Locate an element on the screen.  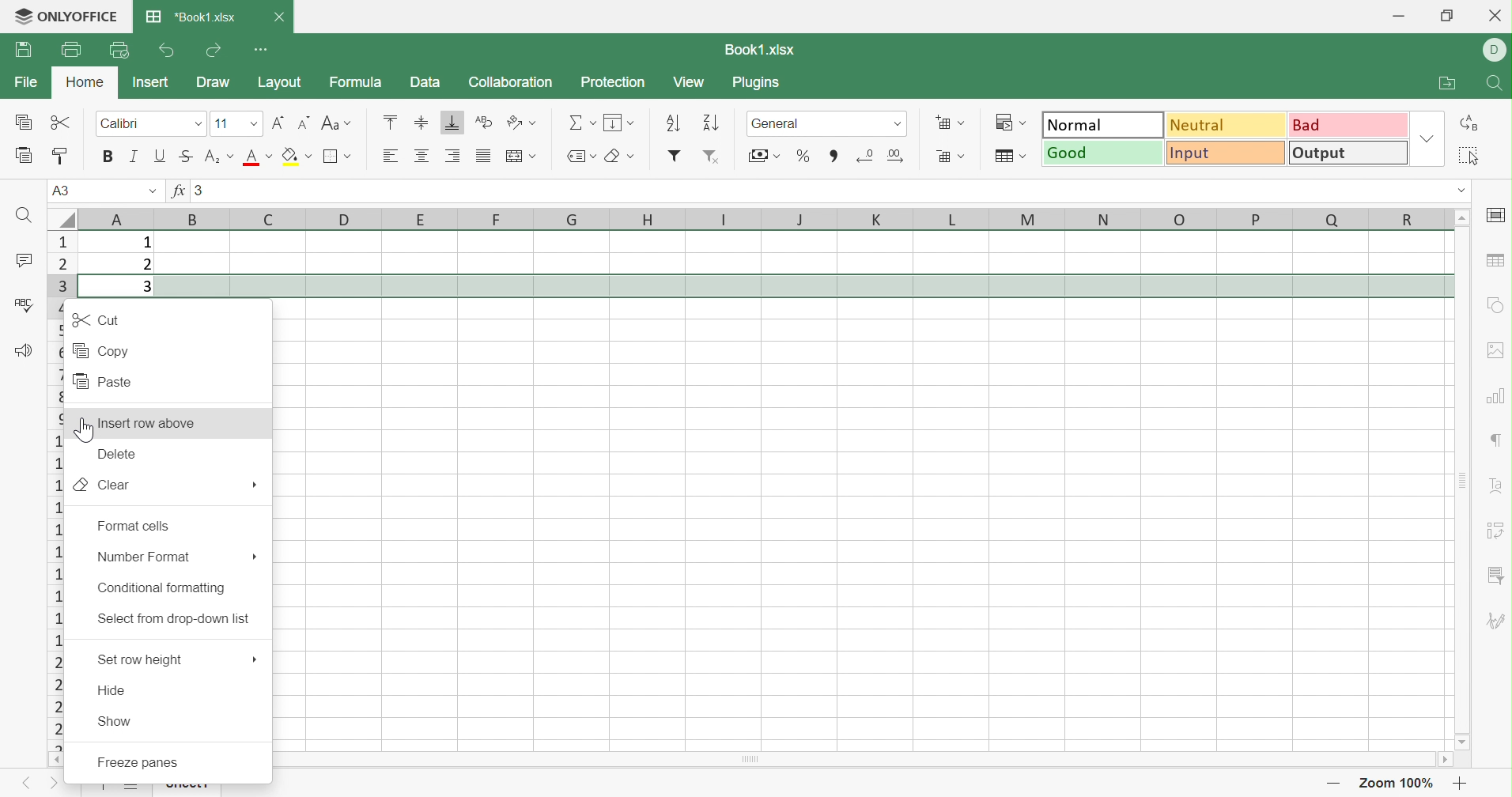
Paste is located at coordinates (102, 380).